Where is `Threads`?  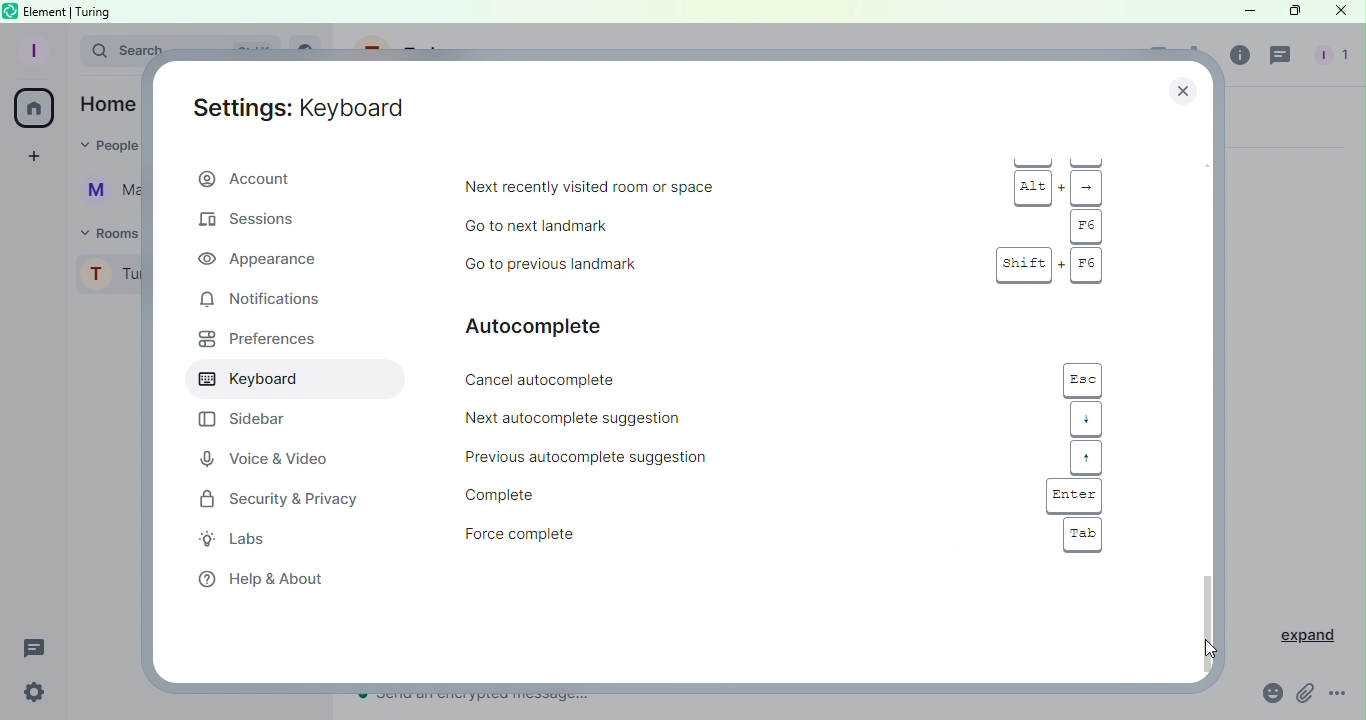
Threads is located at coordinates (1282, 57).